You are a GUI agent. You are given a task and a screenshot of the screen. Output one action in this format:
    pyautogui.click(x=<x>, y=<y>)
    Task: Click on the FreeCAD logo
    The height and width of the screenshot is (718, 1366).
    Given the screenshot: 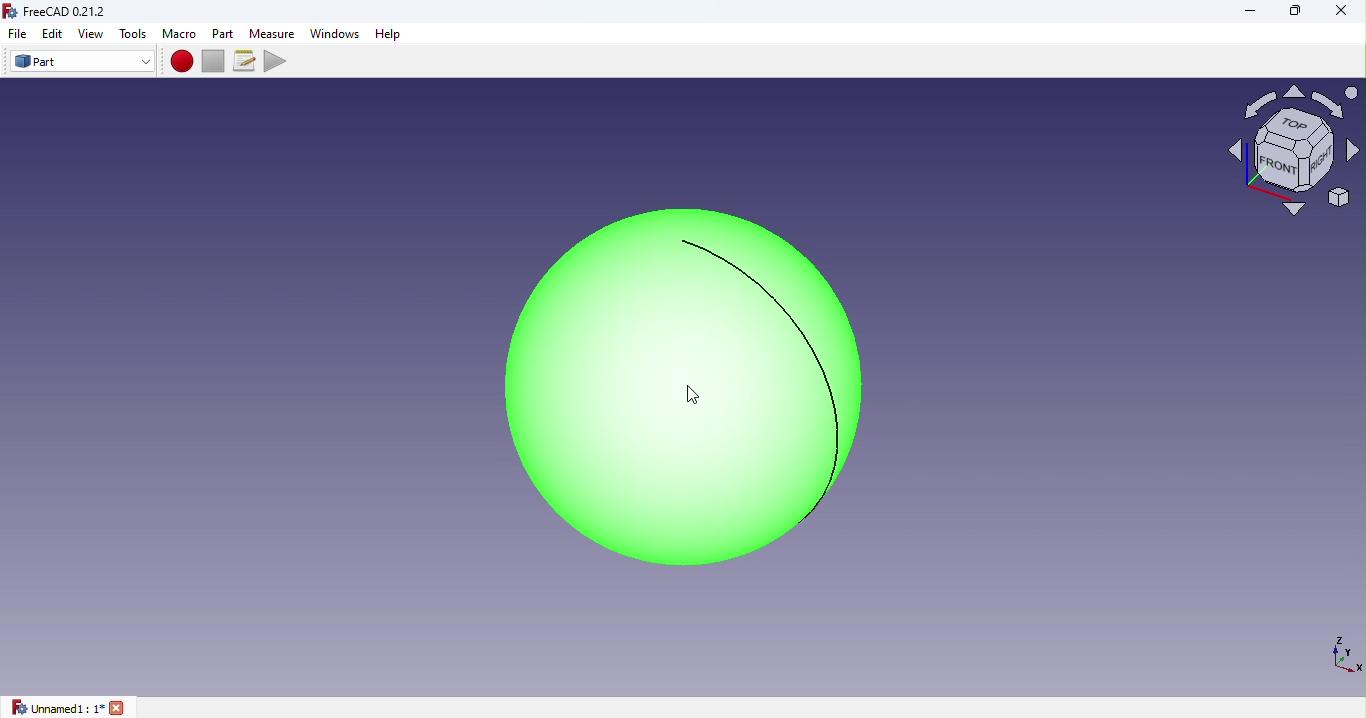 What is the action you would take?
    pyautogui.click(x=61, y=12)
    